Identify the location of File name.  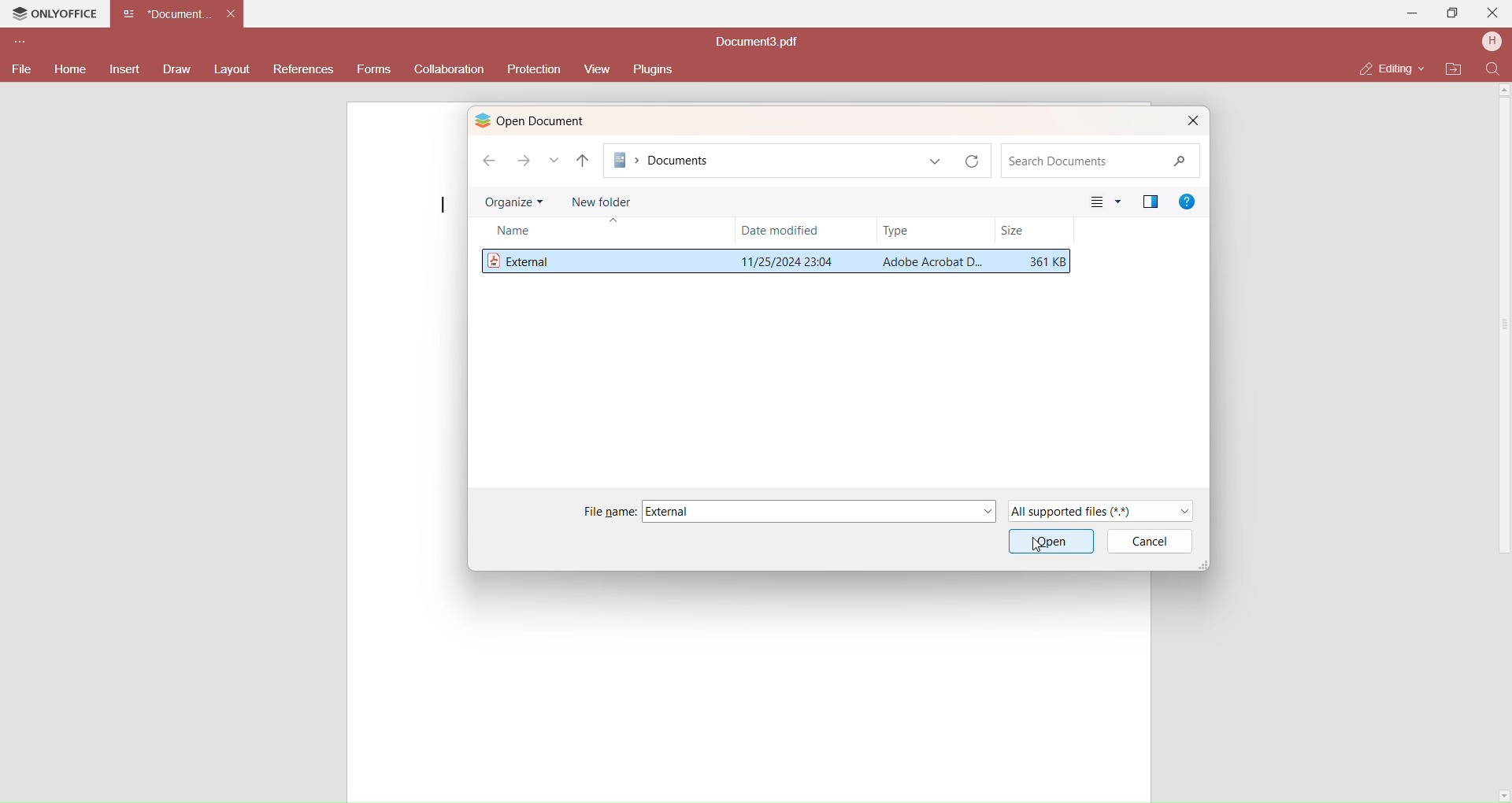
(609, 512).